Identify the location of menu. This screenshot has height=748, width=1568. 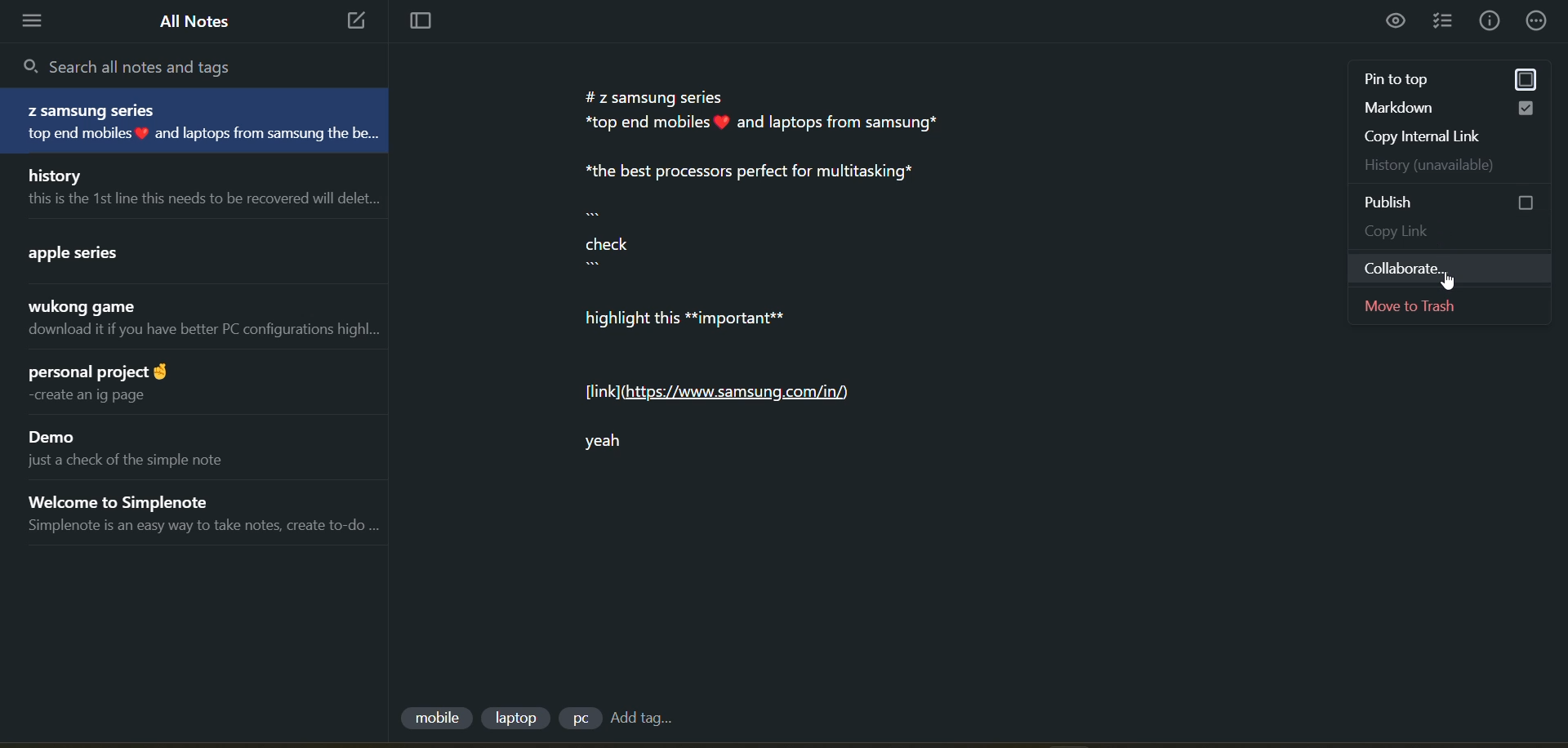
(38, 21).